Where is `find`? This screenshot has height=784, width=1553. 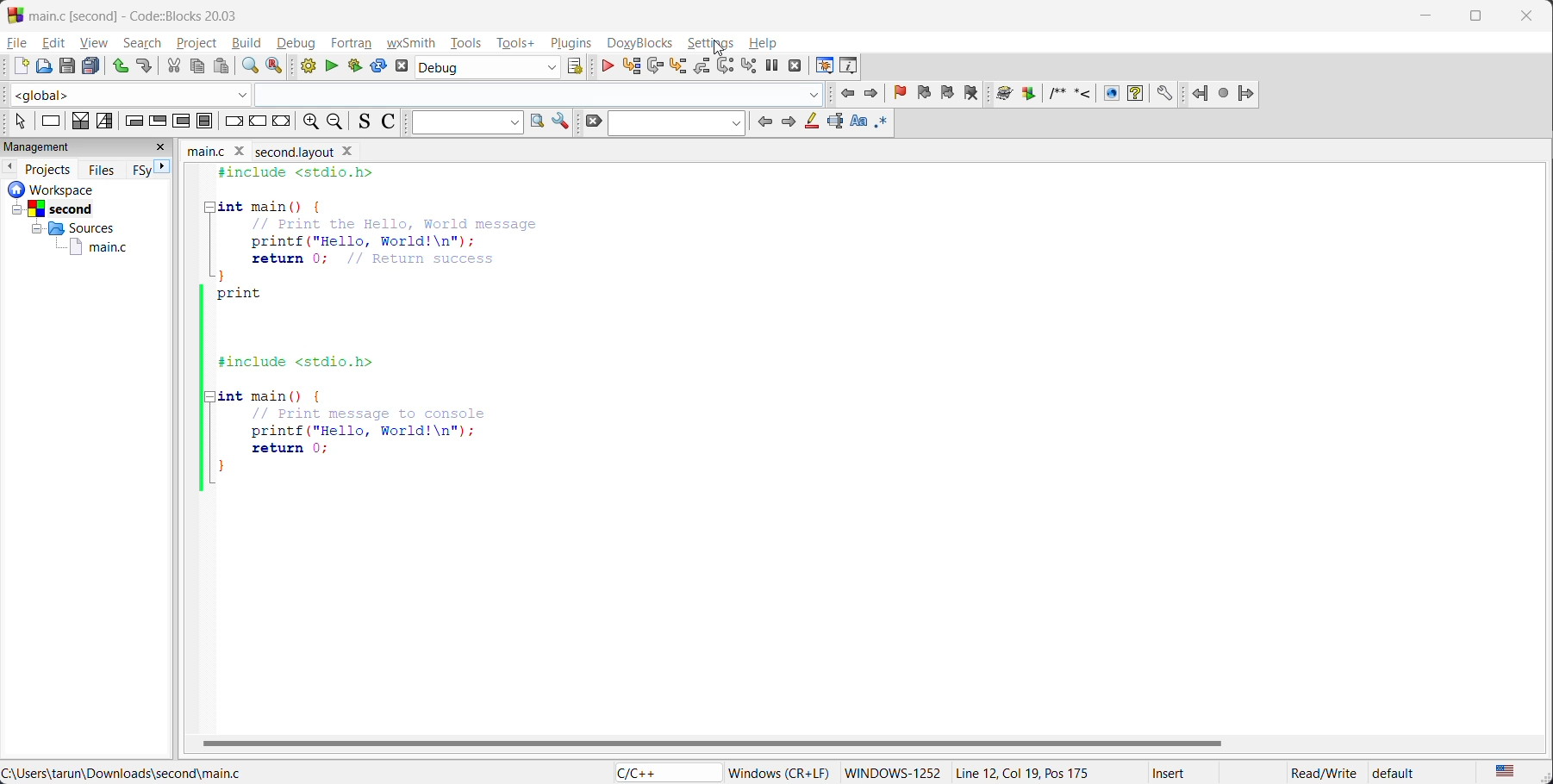 find is located at coordinates (250, 65).